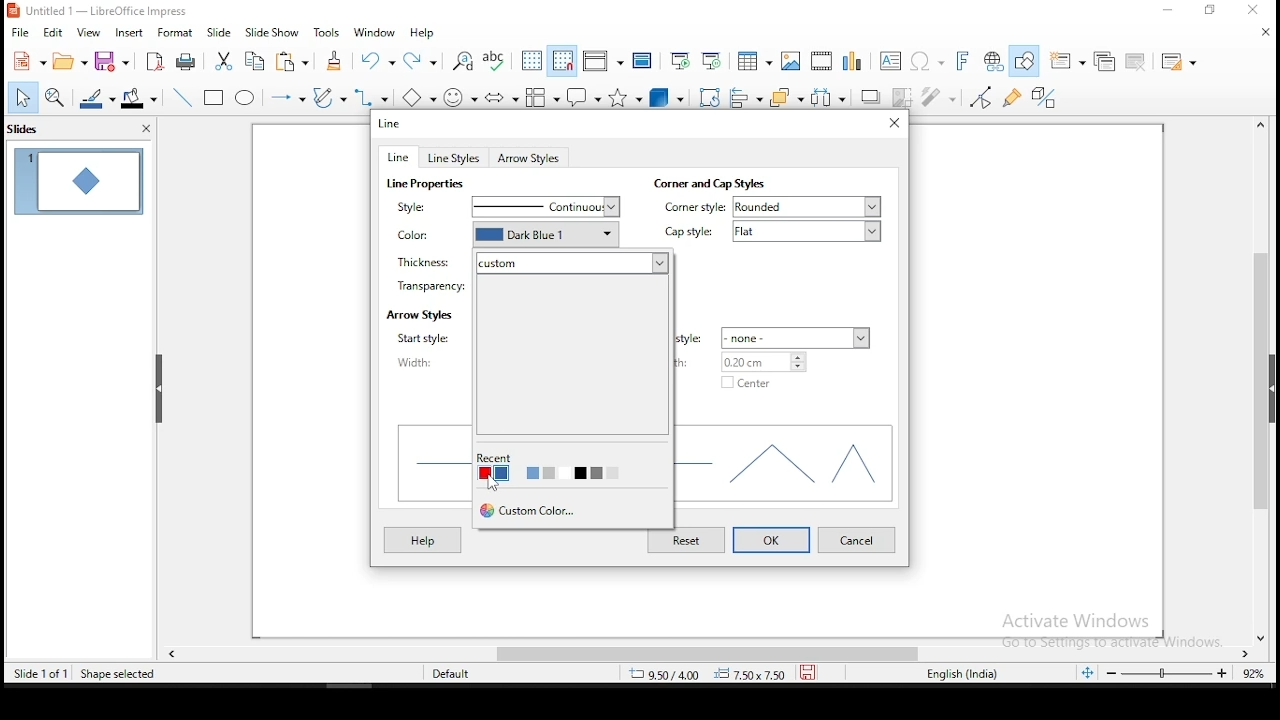 Image resolution: width=1280 pixels, height=720 pixels. What do you see at coordinates (693, 339) in the screenshot?
I see `end style` at bounding box center [693, 339].